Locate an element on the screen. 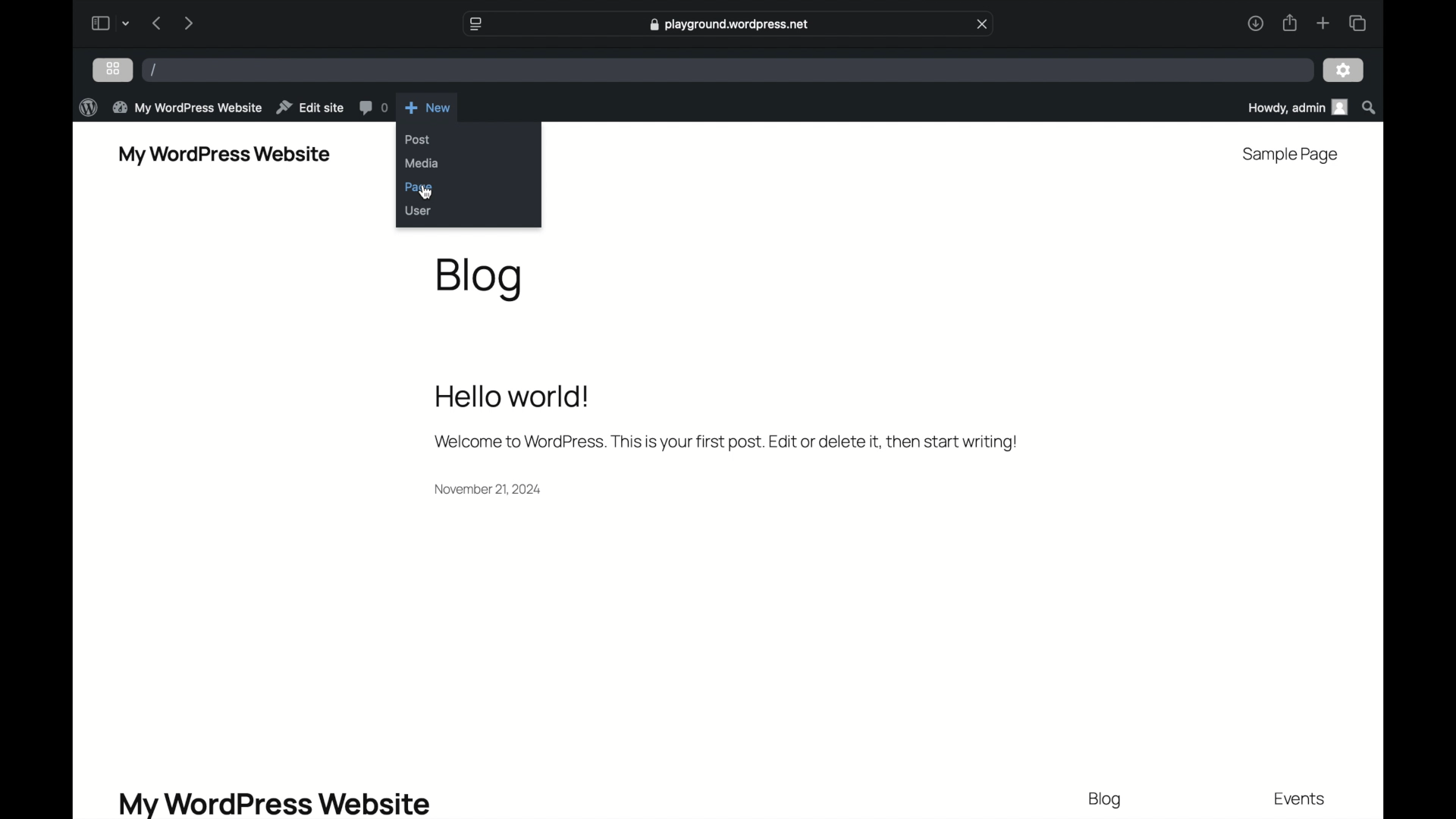 Image resolution: width=1456 pixels, height=819 pixels. page is located at coordinates (419, 187).